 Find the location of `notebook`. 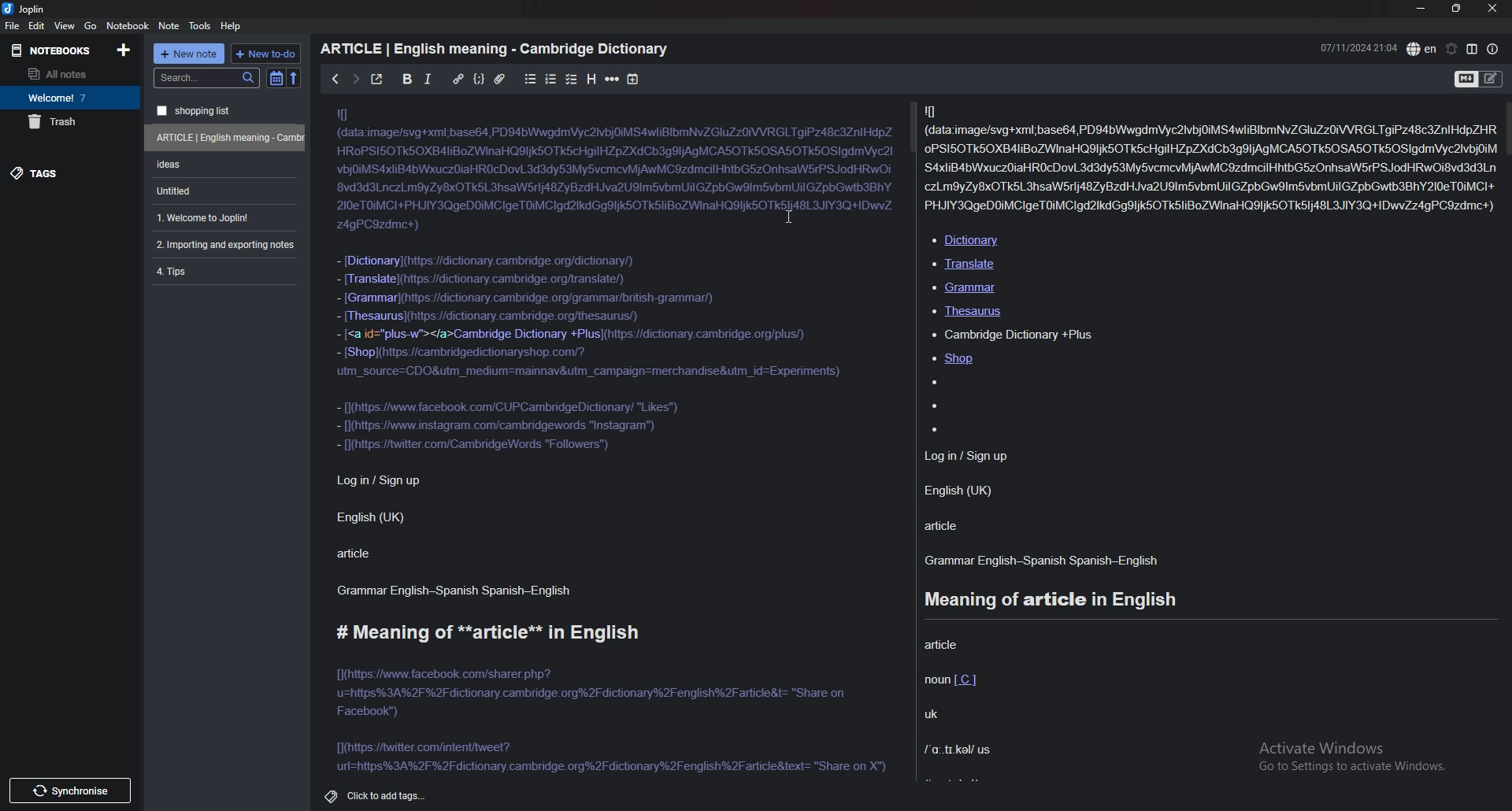

notebook is located at coordinates (128, 25).